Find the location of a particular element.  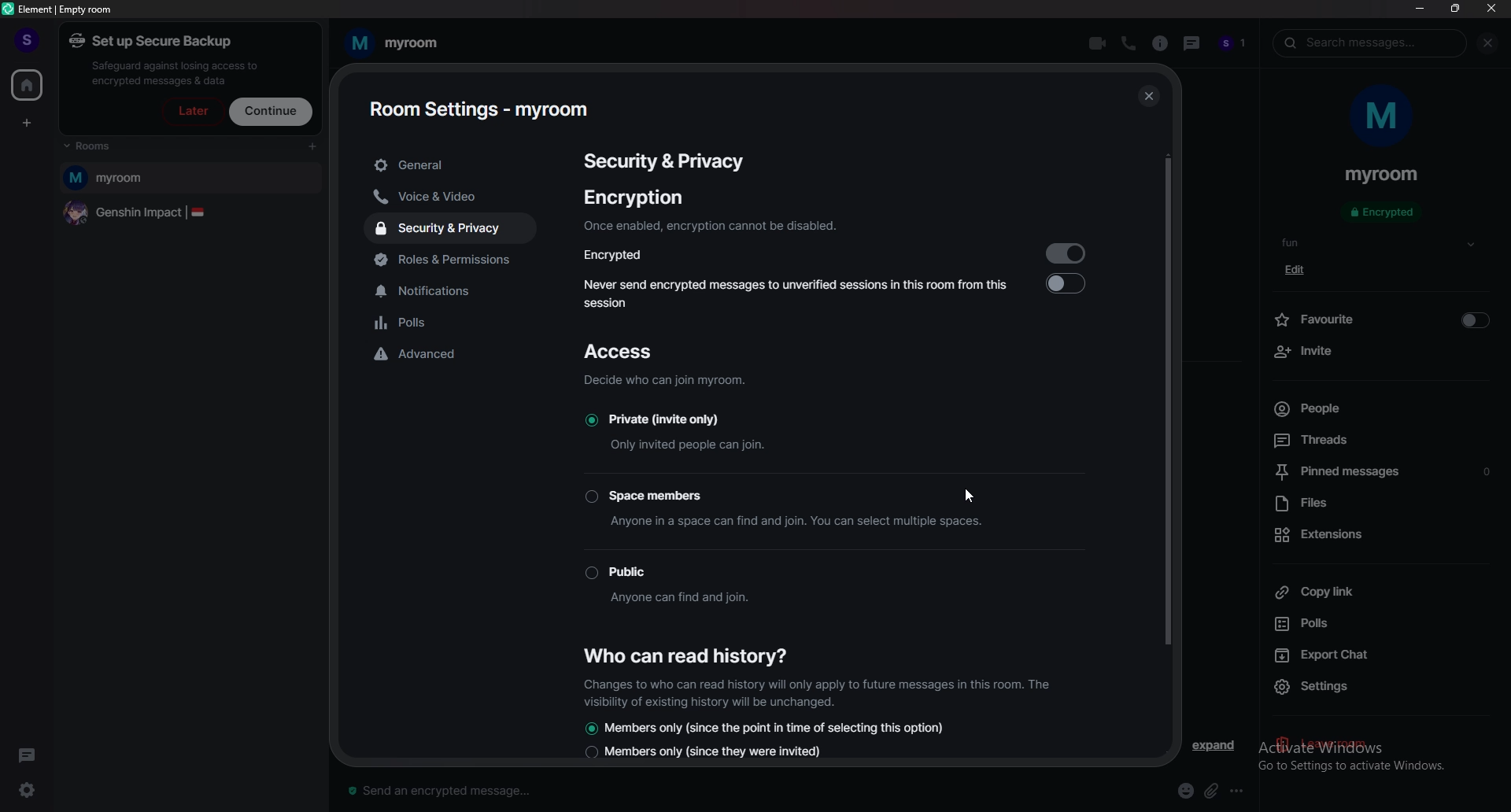

Never send encrypted messages to unverified sessions in this room from this session is located at coordinates (793, 291).